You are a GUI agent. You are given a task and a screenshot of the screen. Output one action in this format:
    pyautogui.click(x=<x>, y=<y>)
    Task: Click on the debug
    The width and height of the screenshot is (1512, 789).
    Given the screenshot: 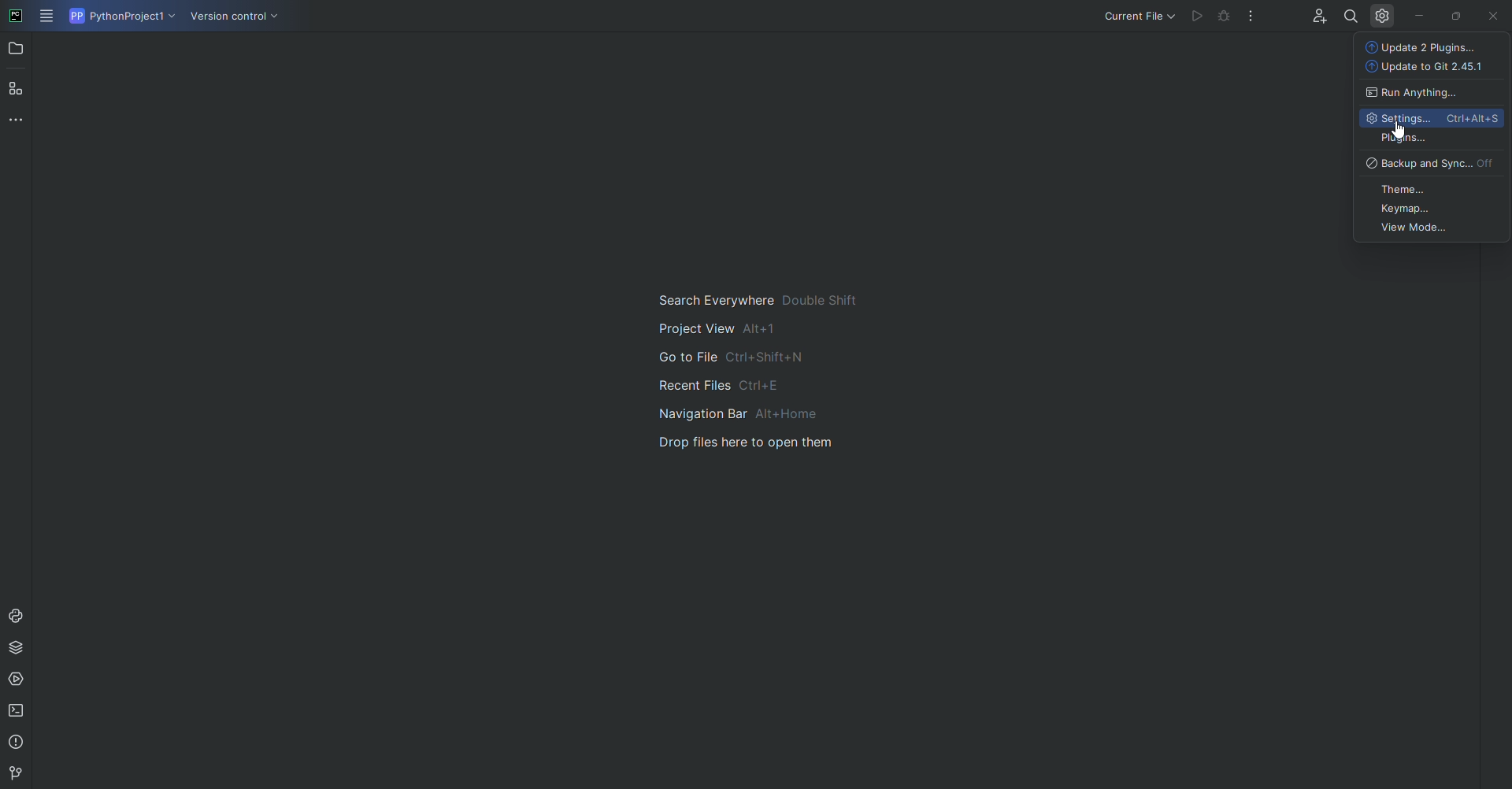 What is the action you would take?
    pyautogui.click(x=1226, y=17)
    